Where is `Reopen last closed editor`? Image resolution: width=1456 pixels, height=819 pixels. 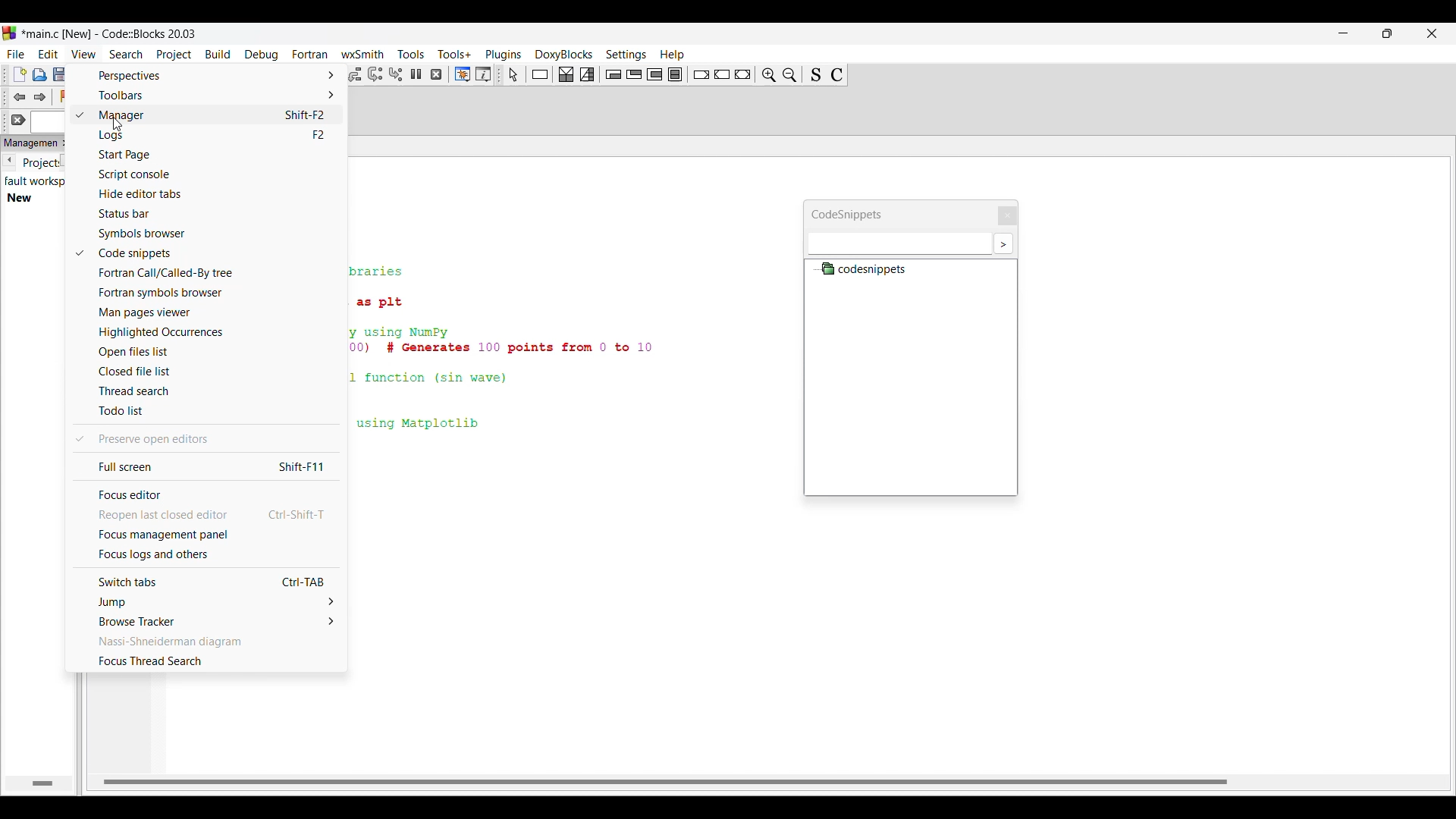 Reopen last closed editor is located at coordinates (207, 515).